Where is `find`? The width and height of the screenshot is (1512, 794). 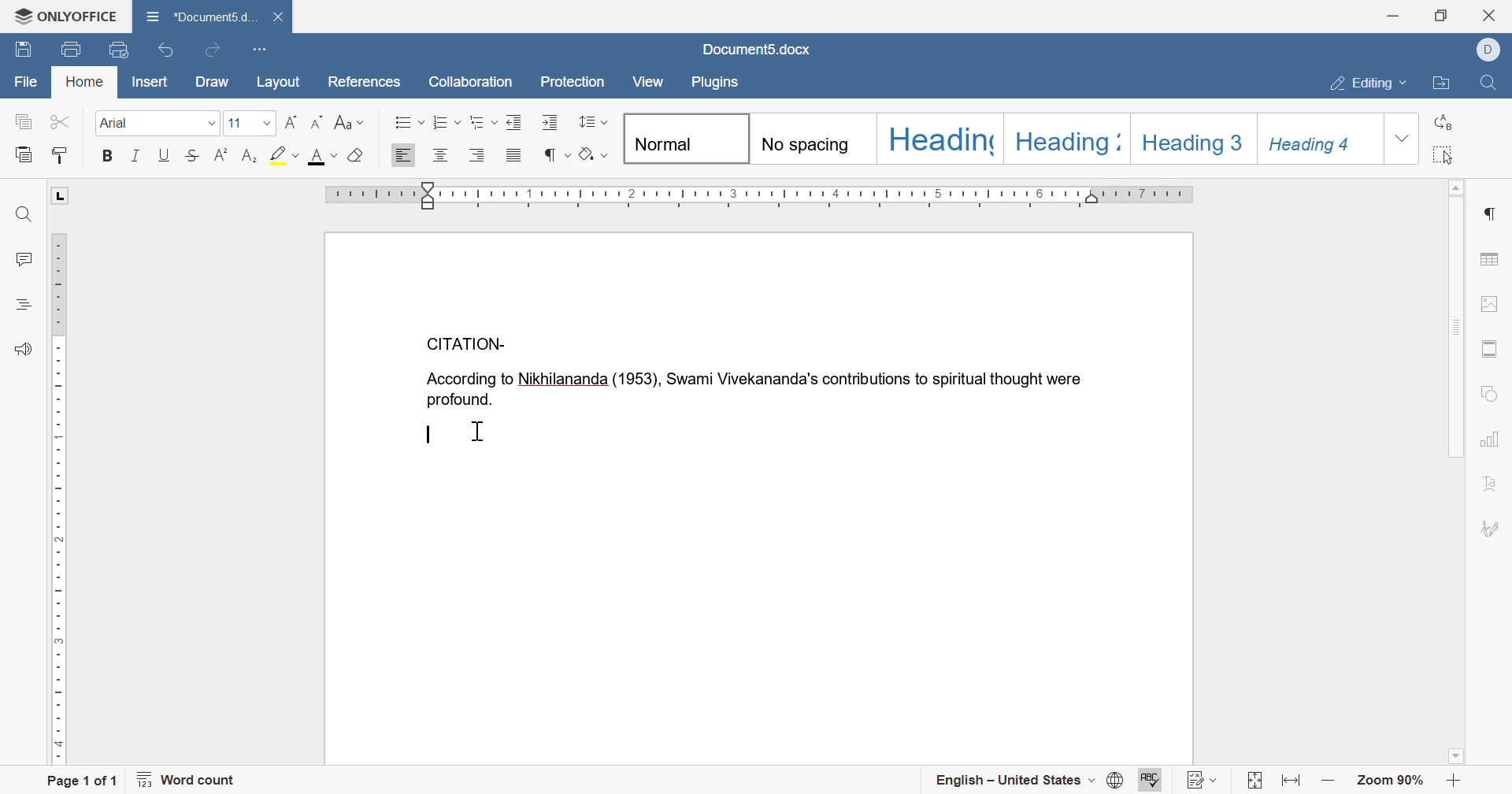
find is located at coordinates (26, 214).